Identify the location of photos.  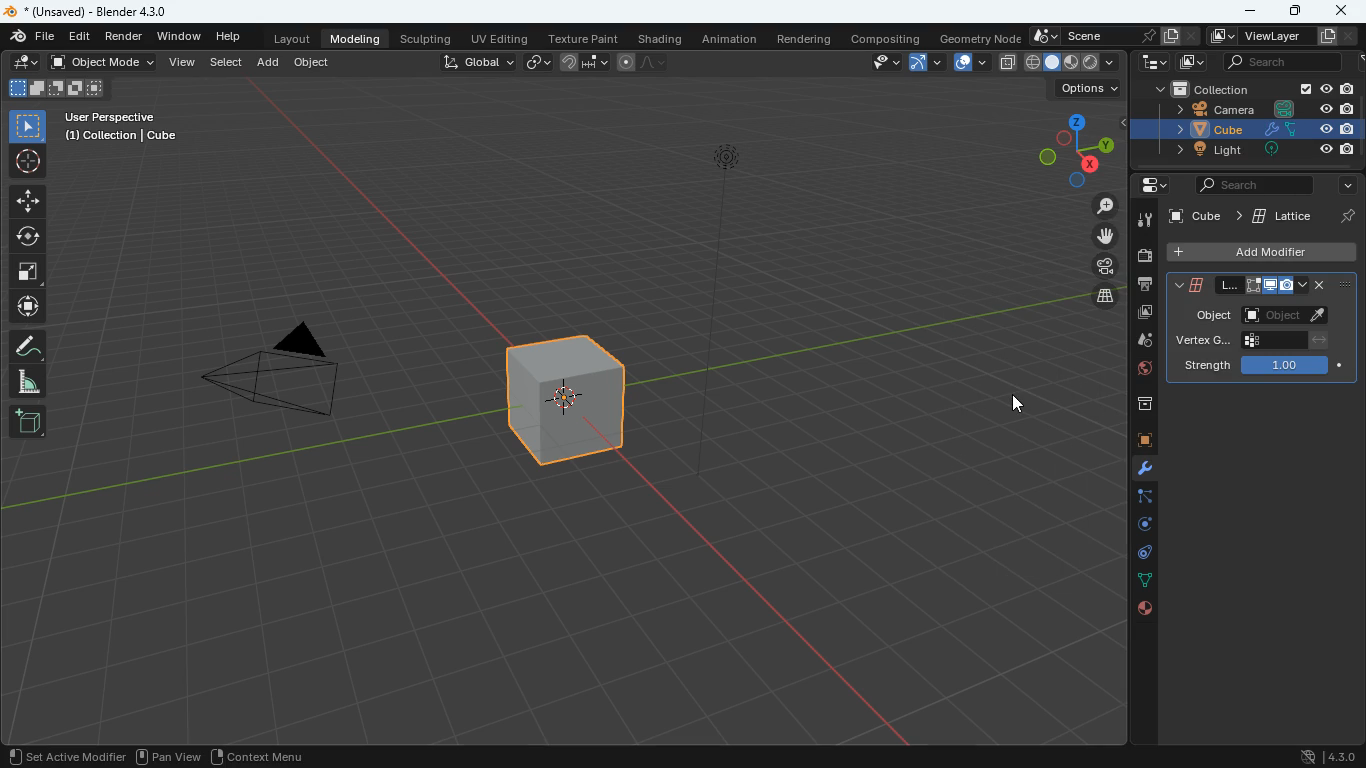
(1142, 314).